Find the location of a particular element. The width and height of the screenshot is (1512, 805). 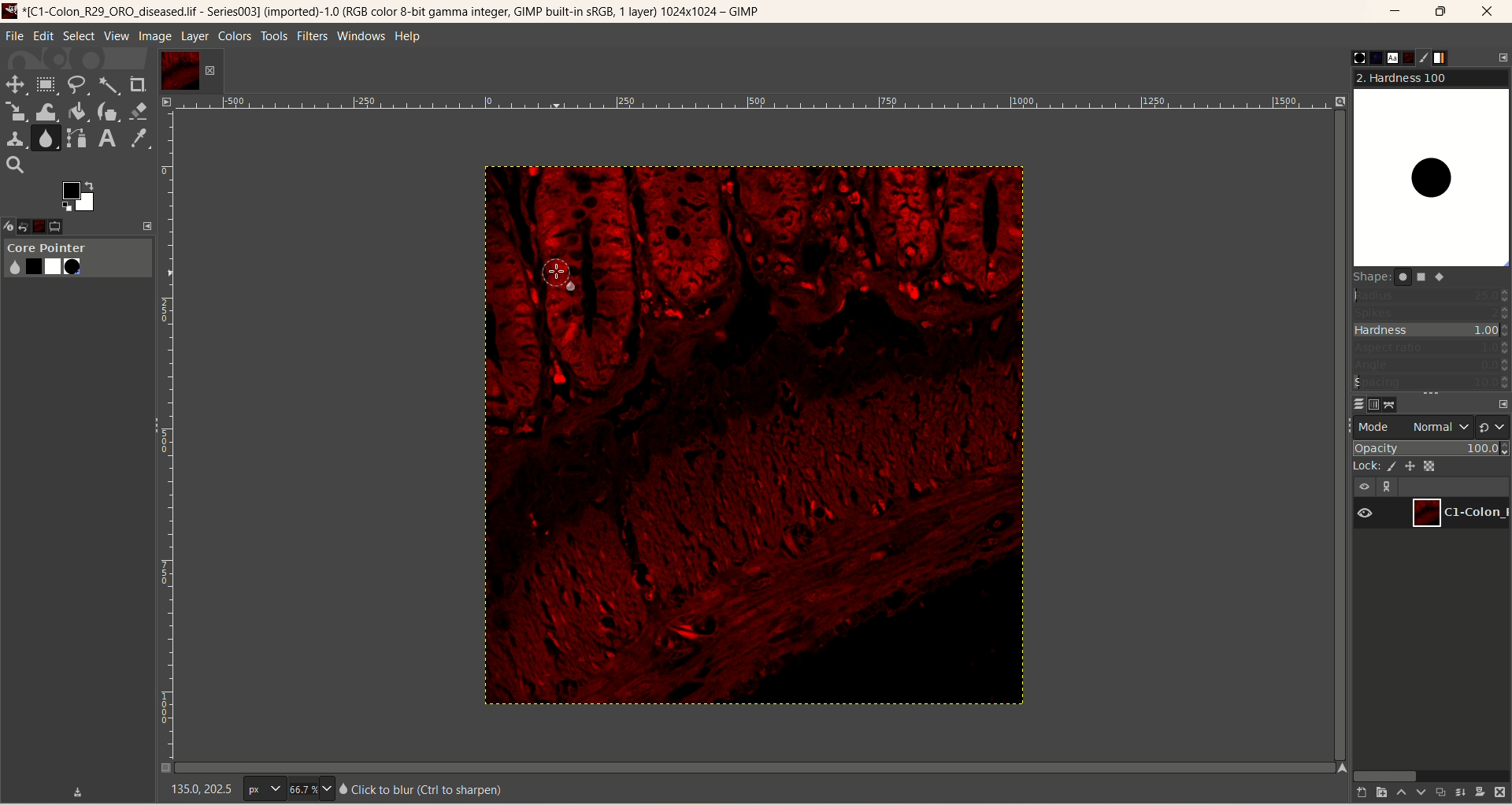

horizontal scroll bar is located at coordinates (1429, 774).